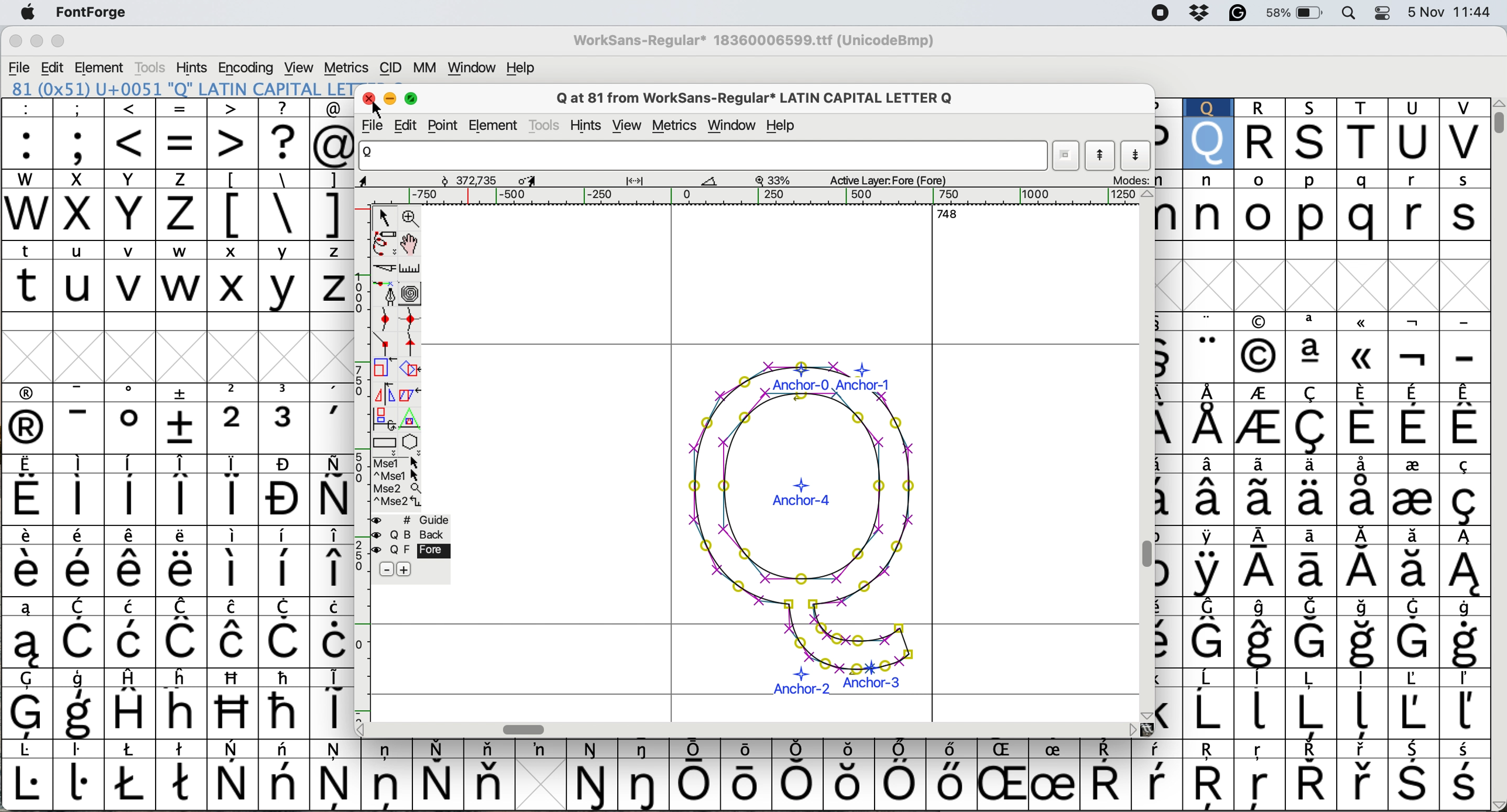 The image size is (1507, 812). Describe the element at coordinates (391, 67) in the screenshot. I see `cid` at that location.